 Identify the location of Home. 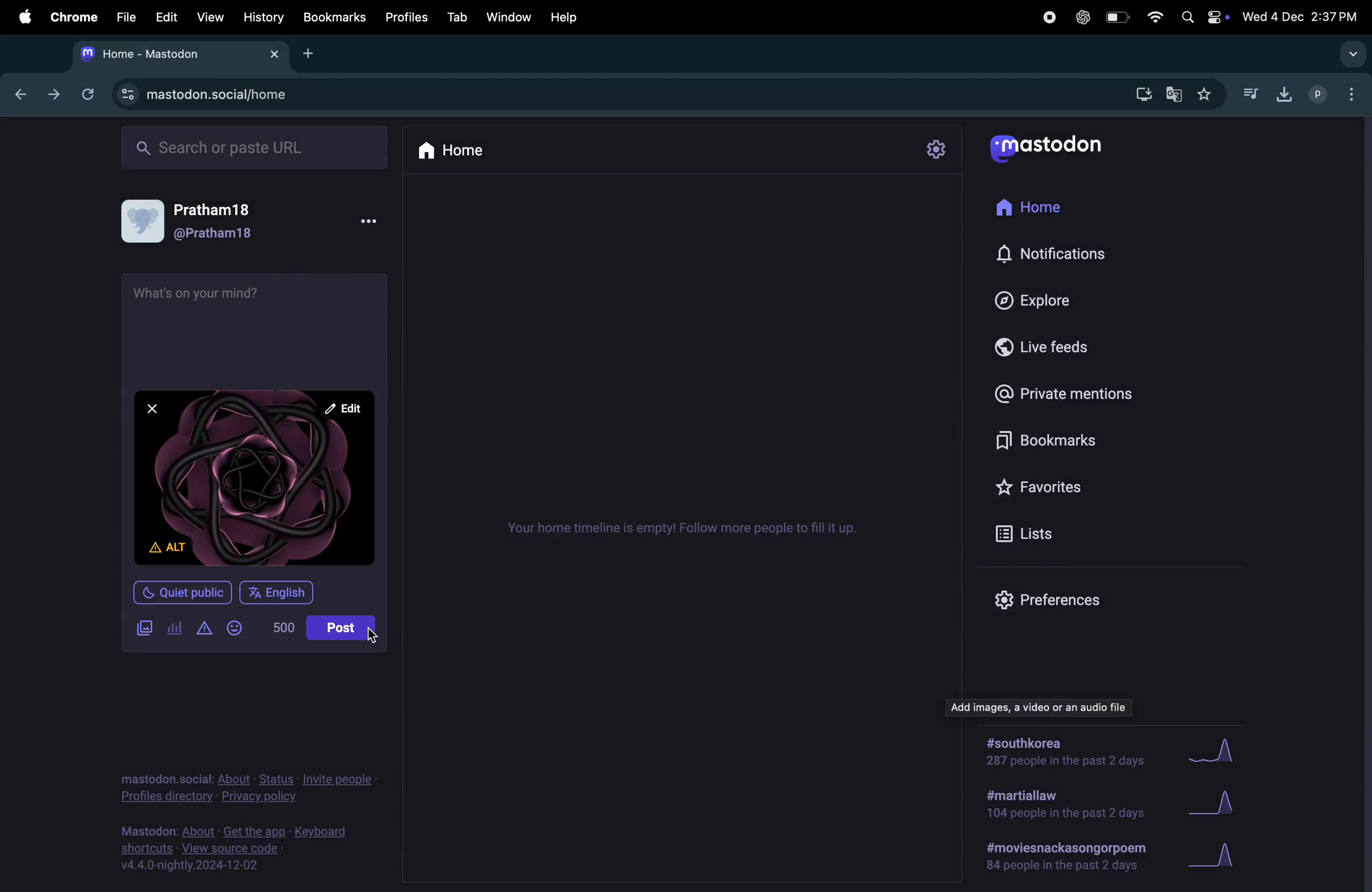
(453, 149).